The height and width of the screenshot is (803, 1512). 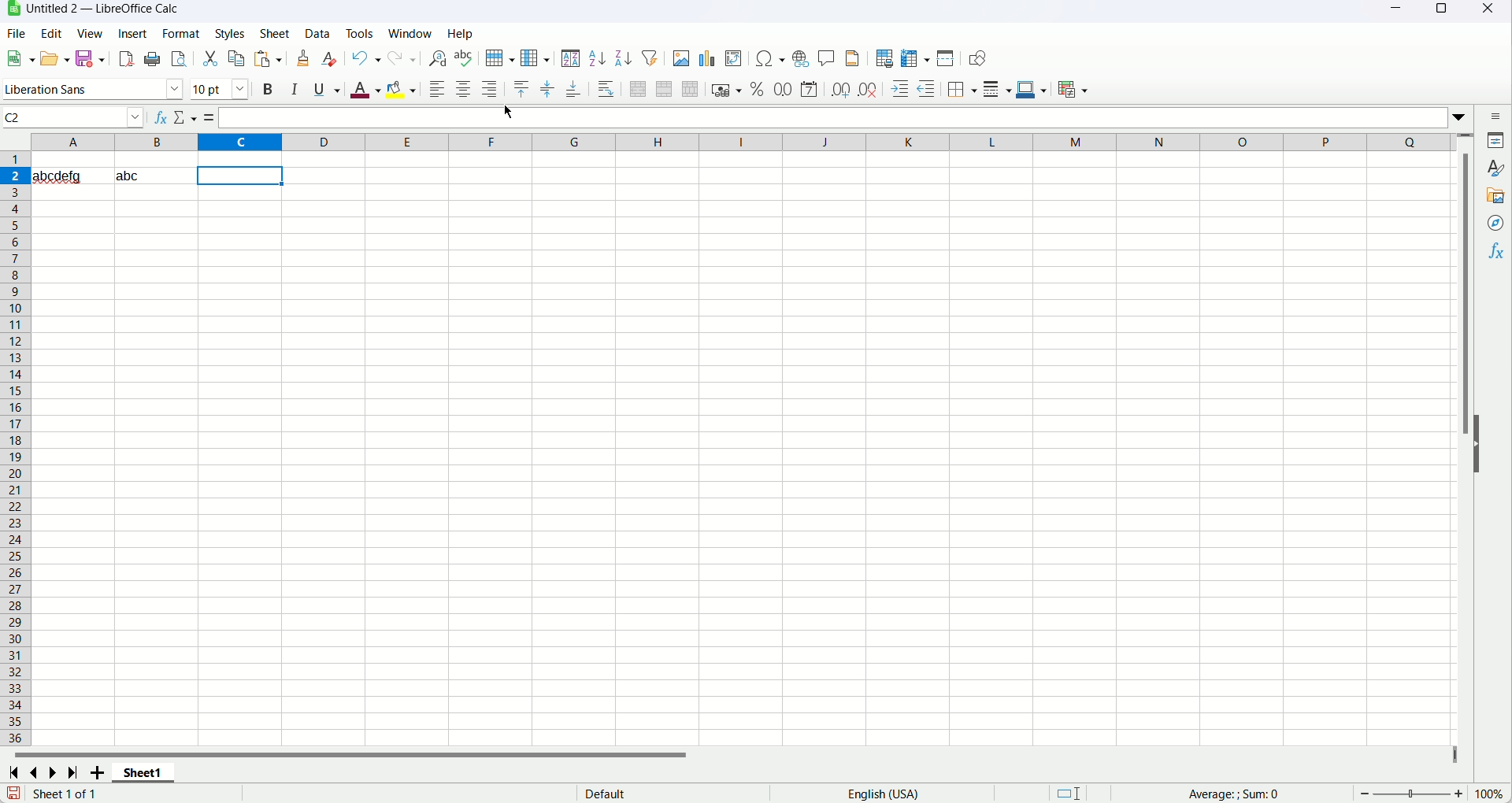 What do you see at coordinates (267, 58) in the screenshot?
I see `paste` at bounding box center [267, 58].